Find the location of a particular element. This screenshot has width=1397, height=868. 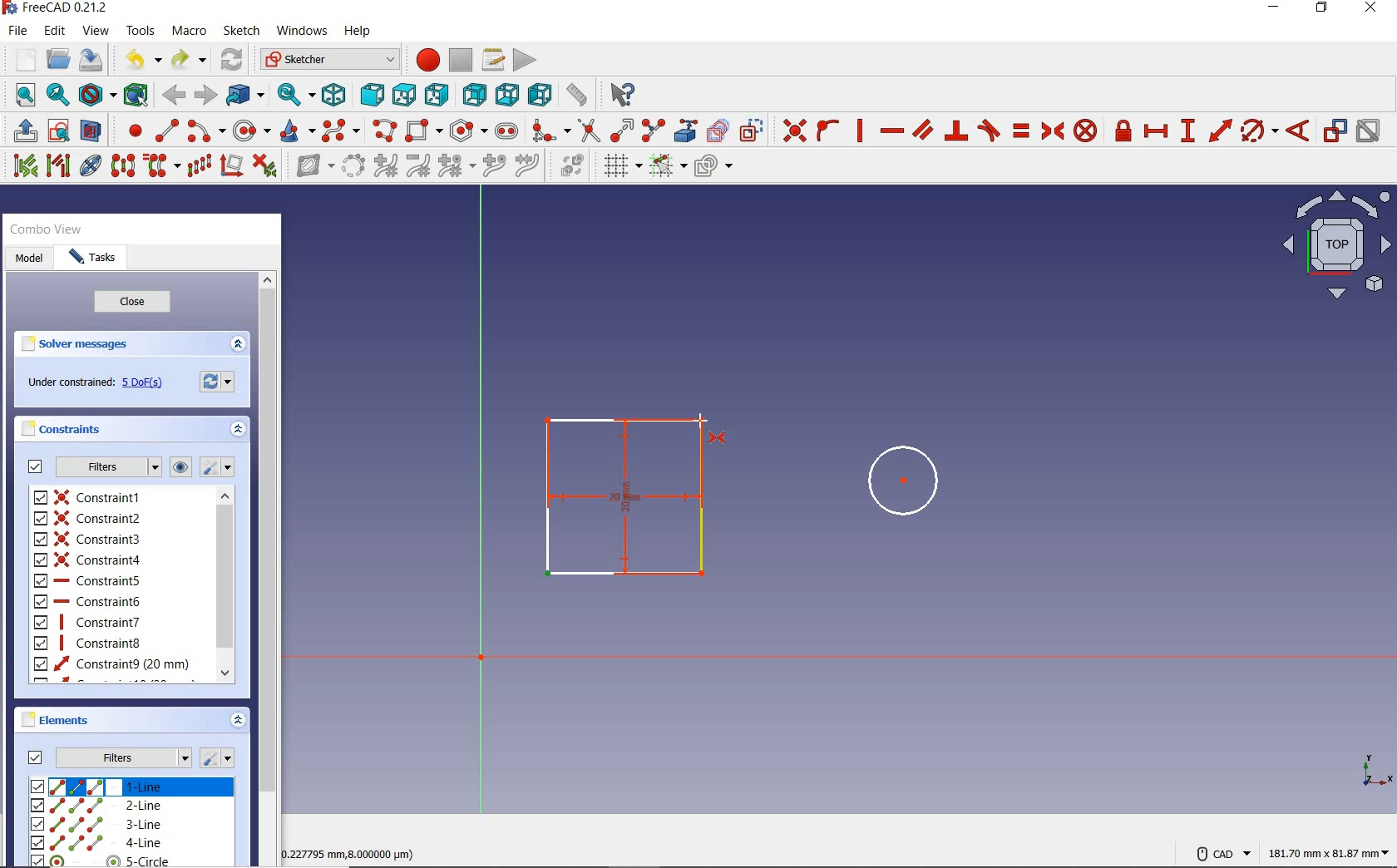

0.227795 mm, 8.000000 μm is located at coordinates (351, 853).